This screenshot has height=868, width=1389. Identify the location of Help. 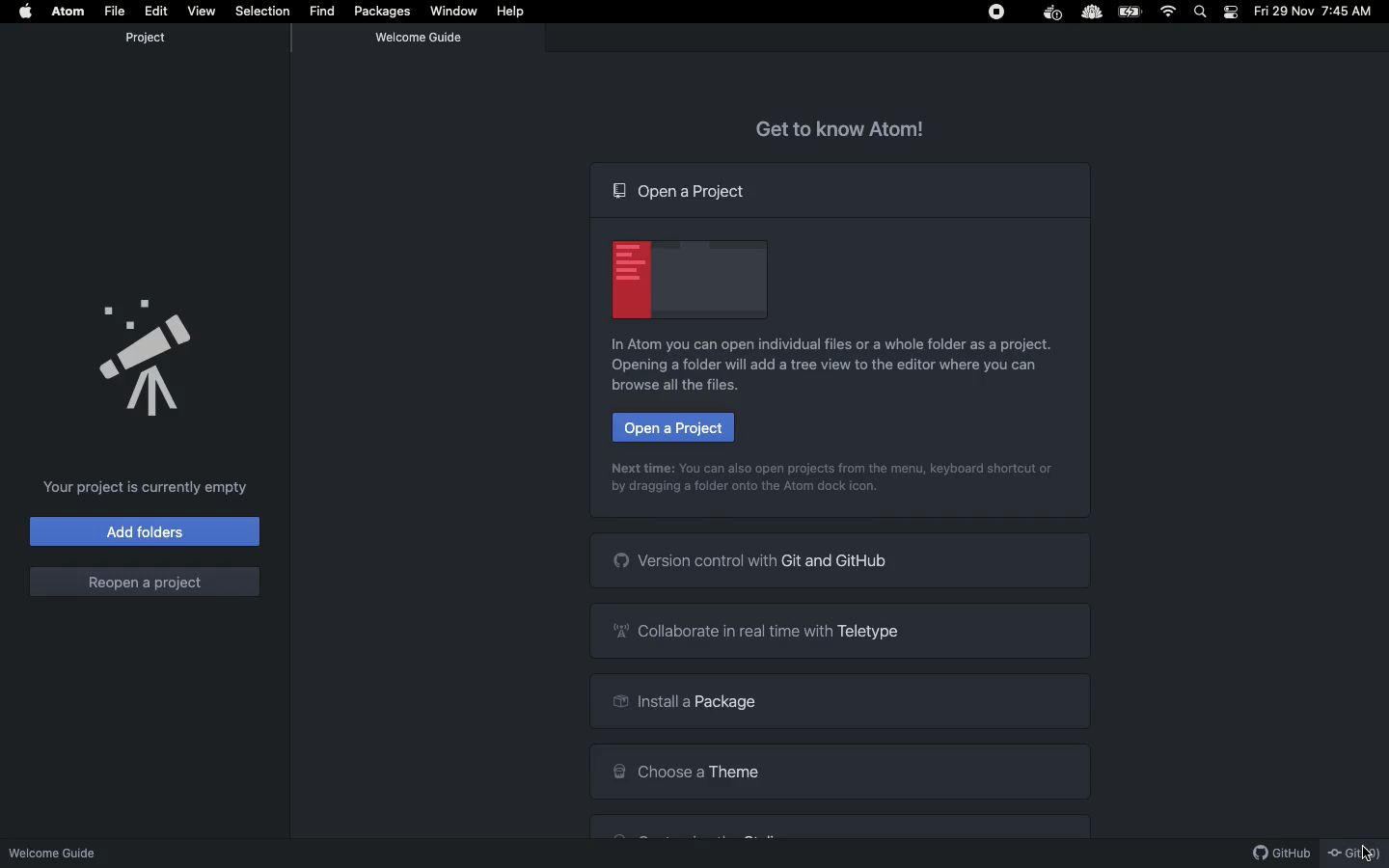
(514, 12).